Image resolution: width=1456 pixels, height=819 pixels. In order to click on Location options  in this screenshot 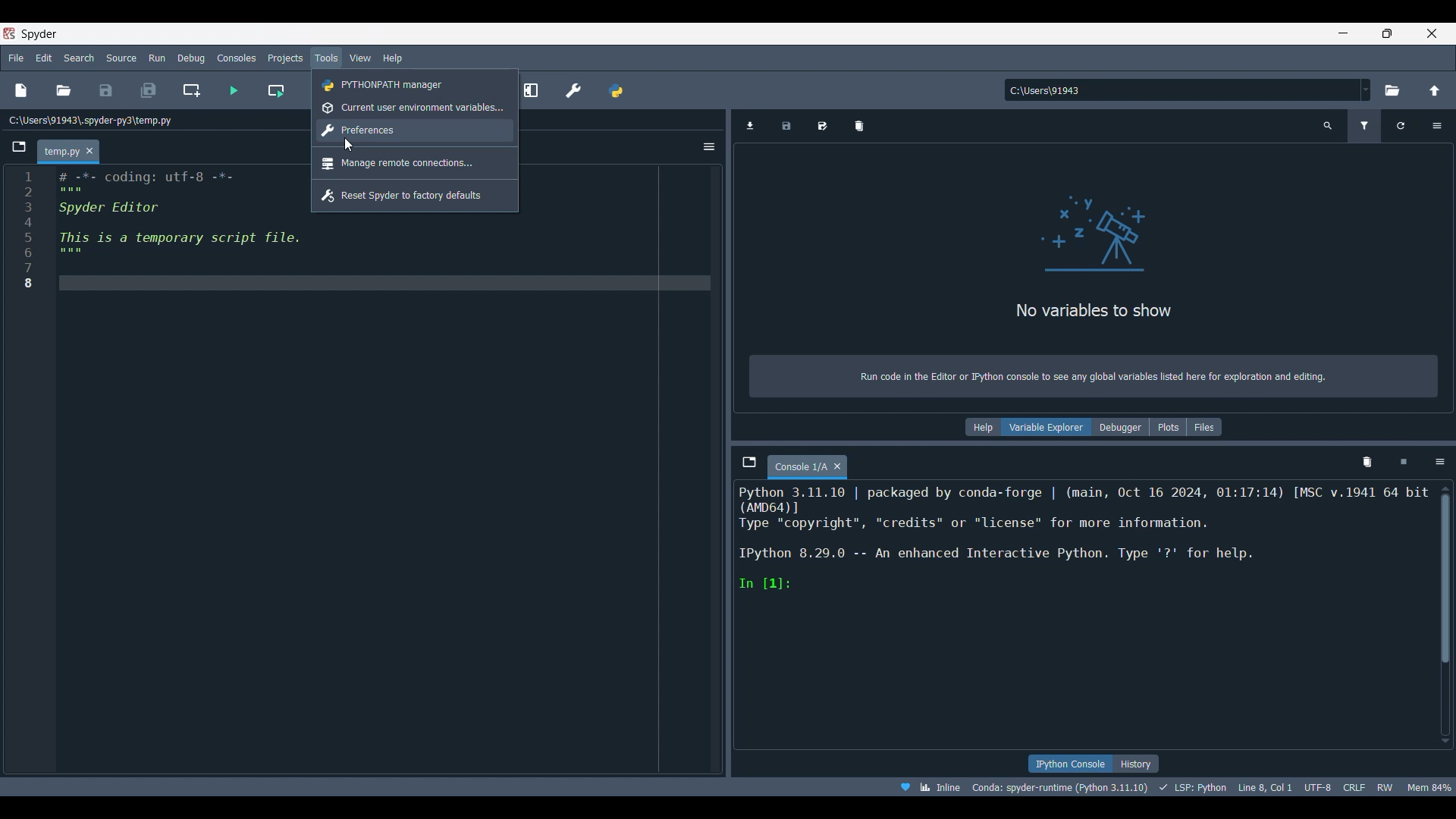, I will do `click(1366, 89)`.